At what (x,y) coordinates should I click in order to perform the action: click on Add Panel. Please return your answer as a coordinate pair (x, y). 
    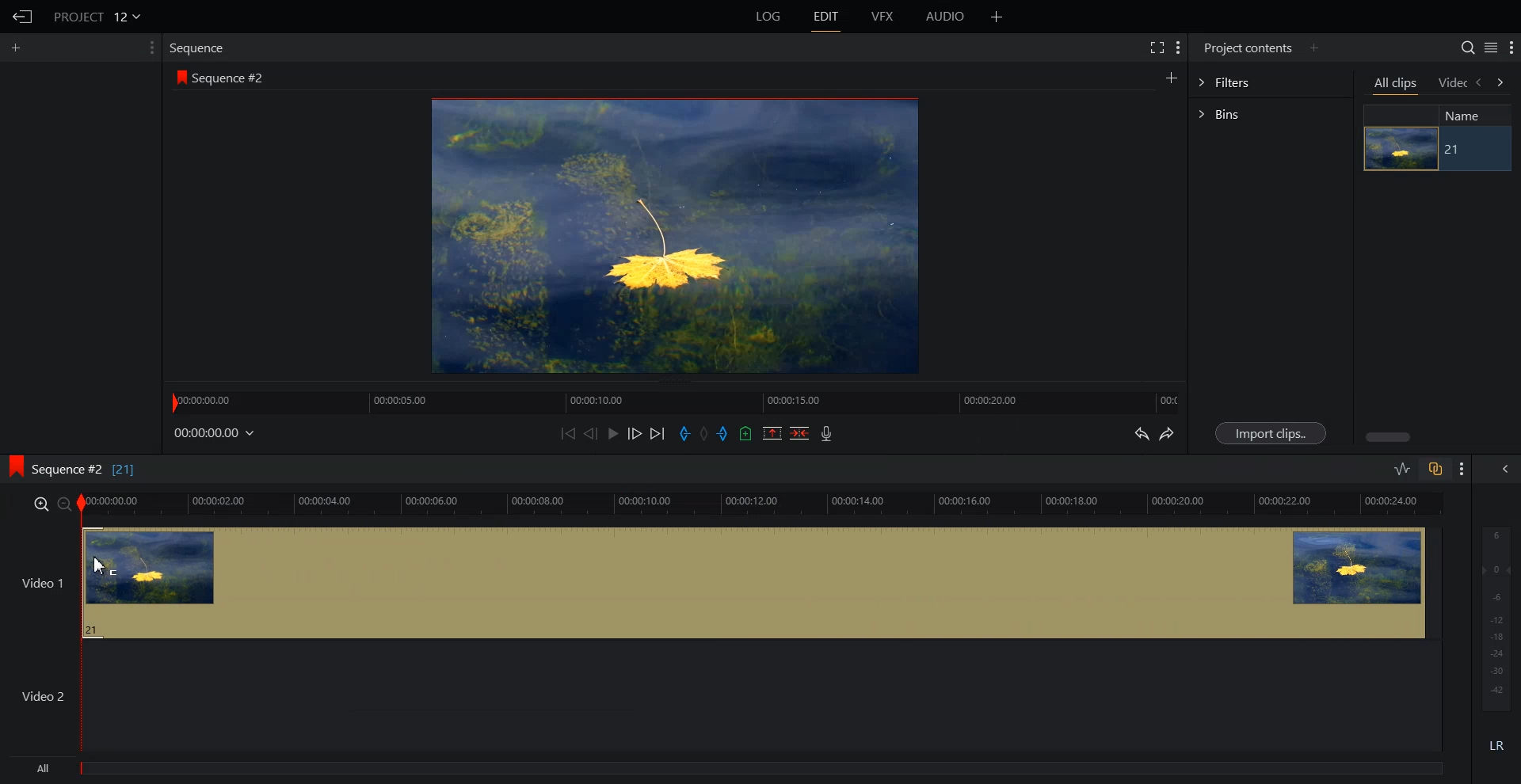
    Looking at the image, I should click on (1316, 48).